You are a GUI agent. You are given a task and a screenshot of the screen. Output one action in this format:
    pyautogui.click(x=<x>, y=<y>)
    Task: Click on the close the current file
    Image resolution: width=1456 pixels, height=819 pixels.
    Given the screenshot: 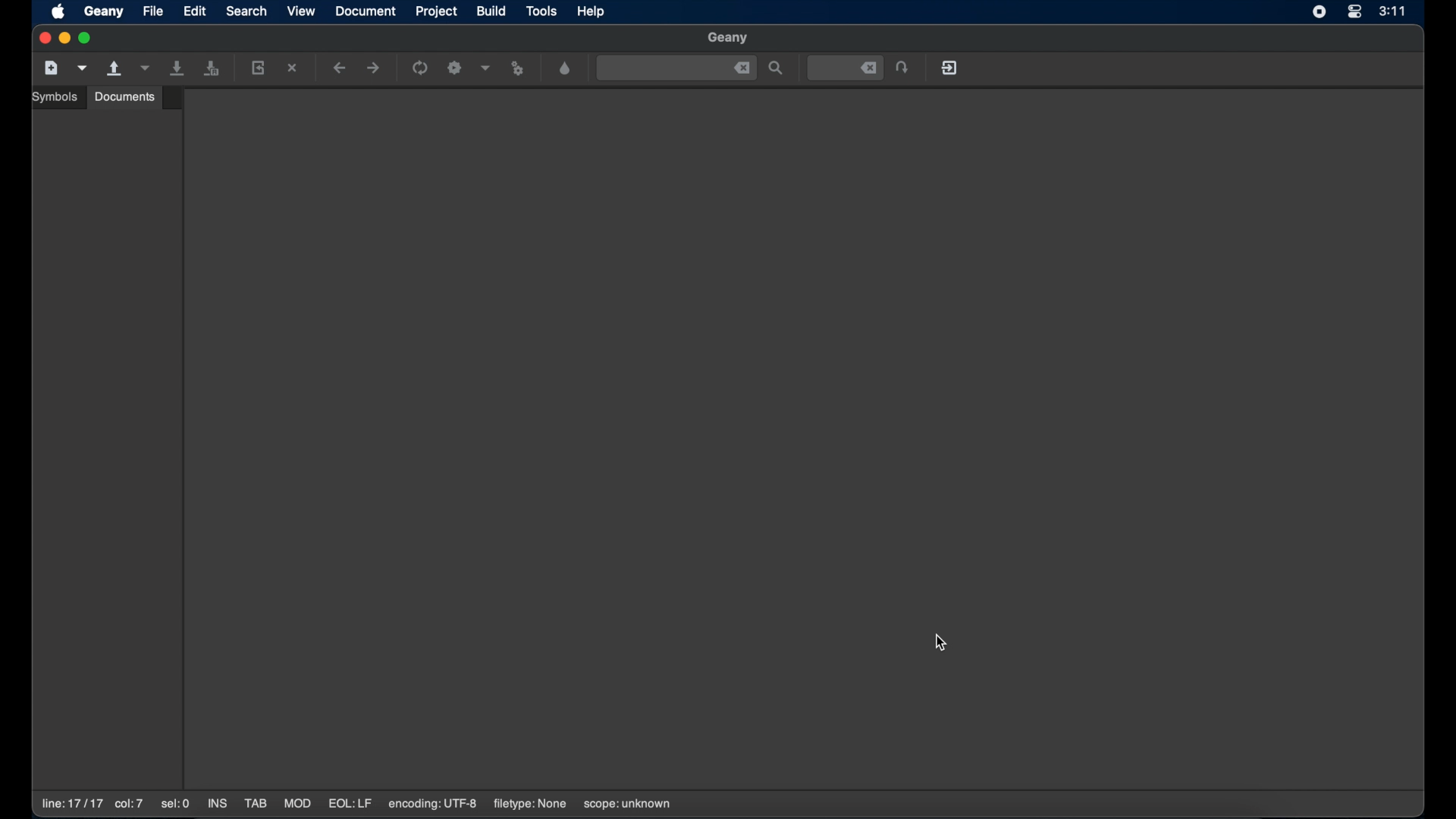 What is the action you would take?
    pyautogui.click(x=293, y=69)
    